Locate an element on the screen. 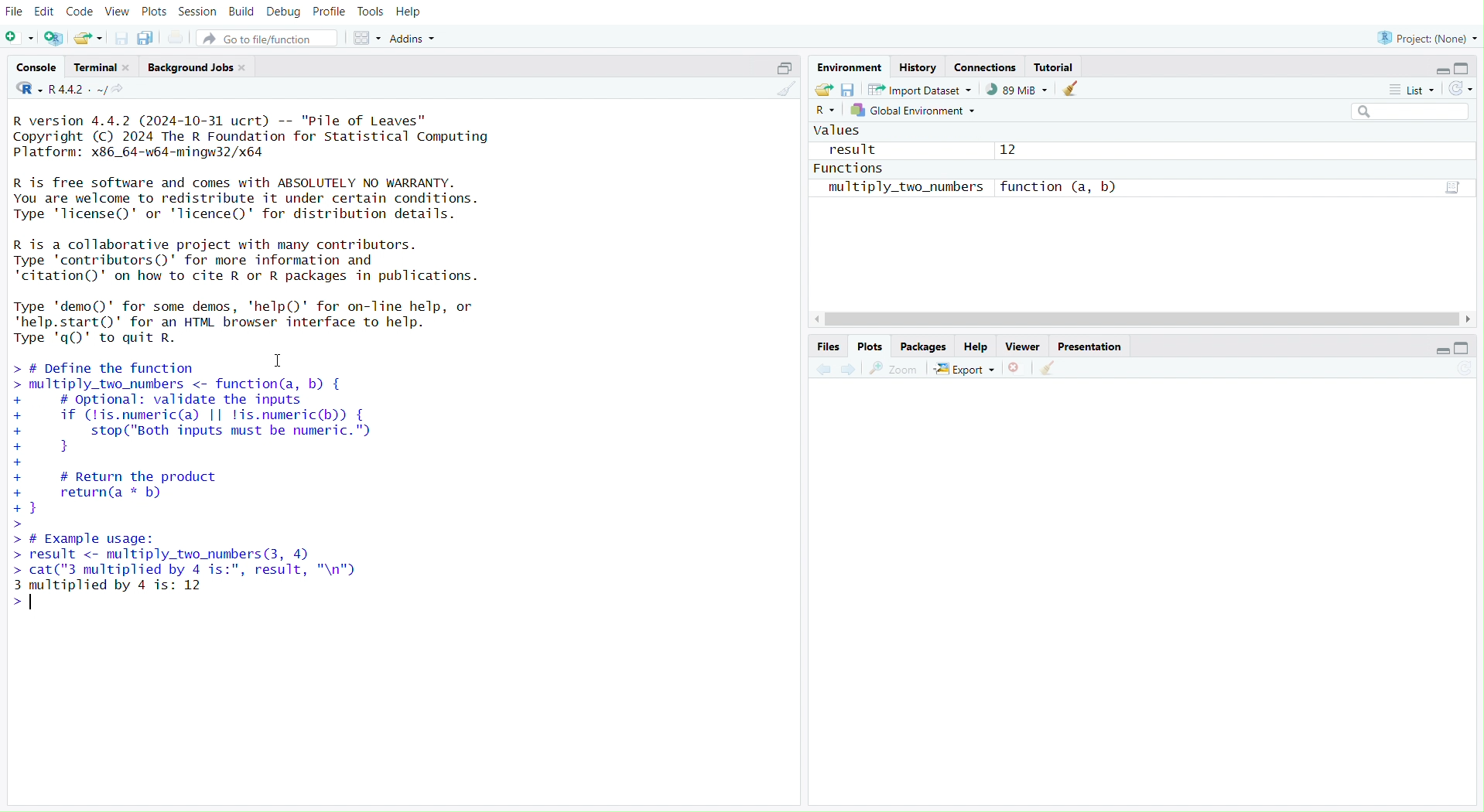 This screenshot has height=812, width=1484. Workspace panes is located at coordinates (364, 39).